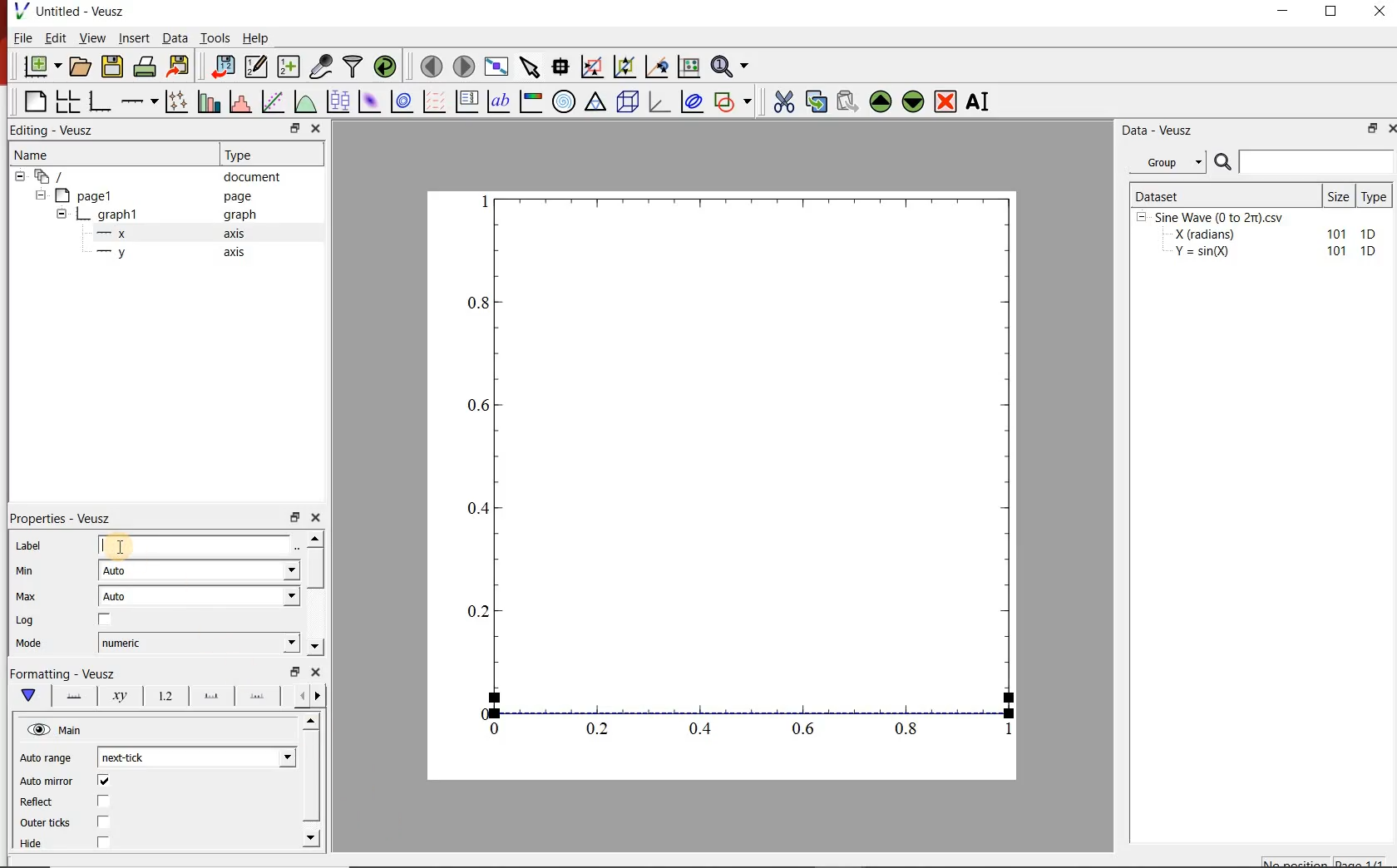  I want to click on Up, so click(310, 722).